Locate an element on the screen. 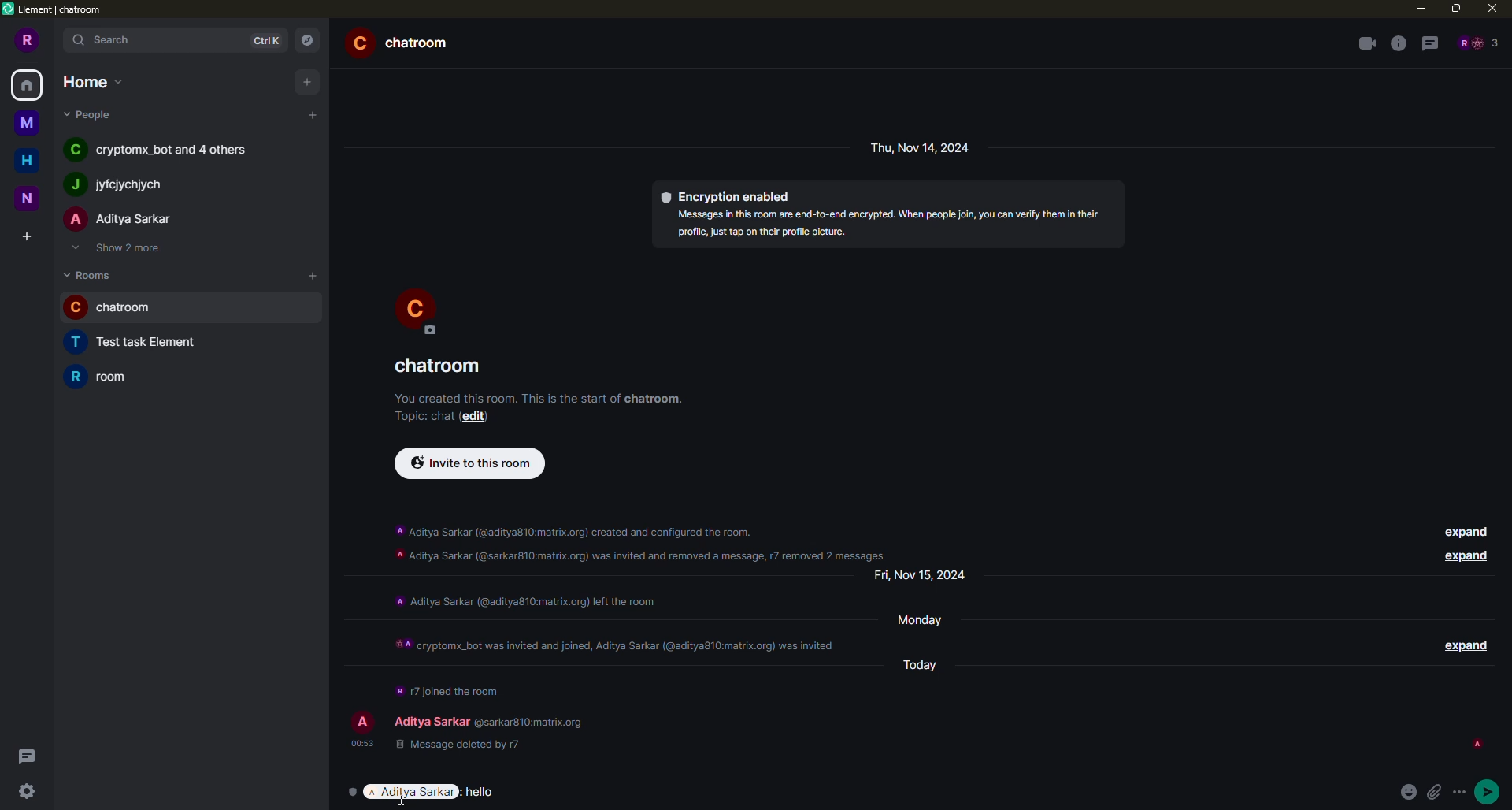  info is located at coordinates (539, 396).